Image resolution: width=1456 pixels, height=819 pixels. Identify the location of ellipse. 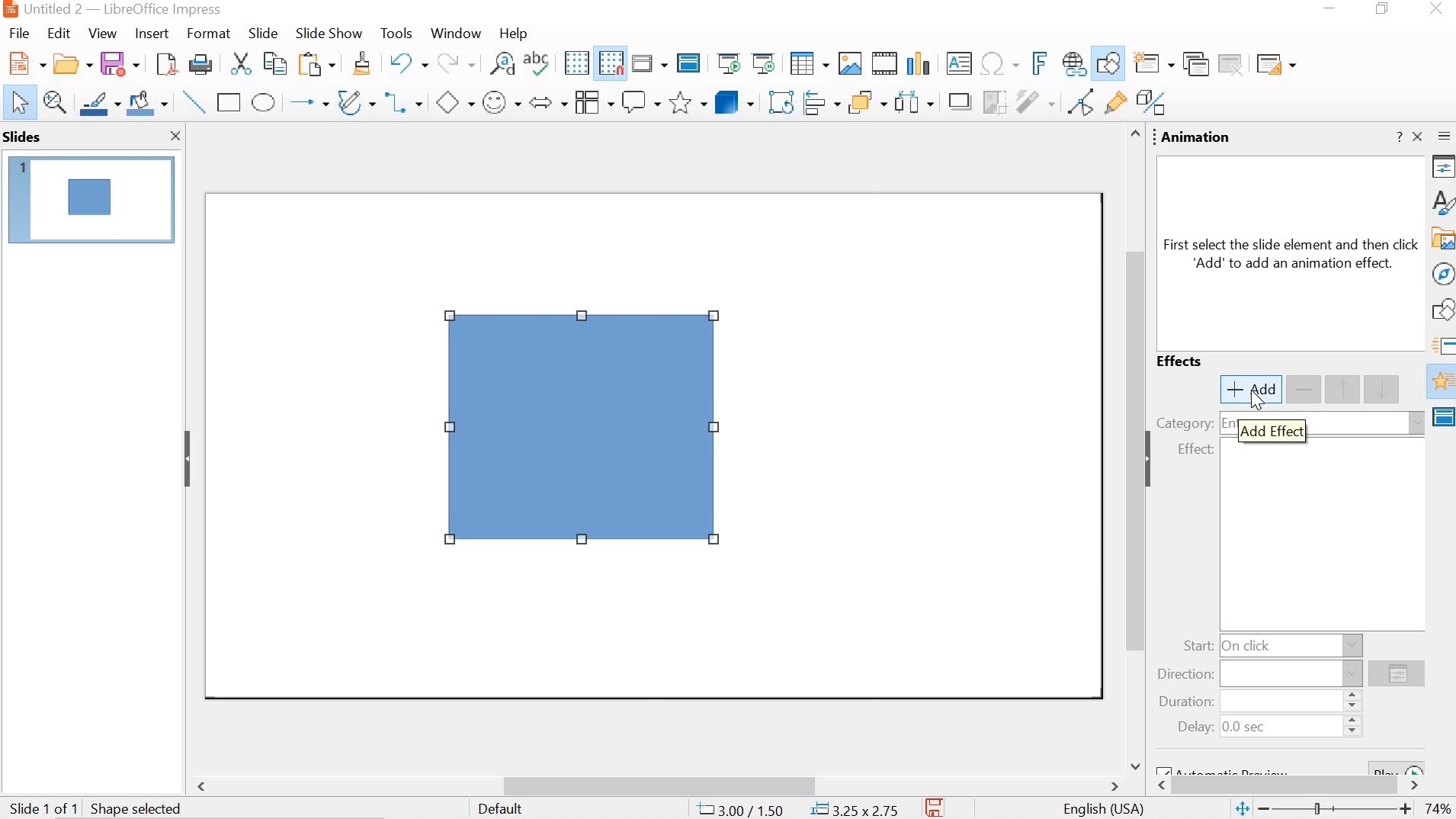
(265, 102).